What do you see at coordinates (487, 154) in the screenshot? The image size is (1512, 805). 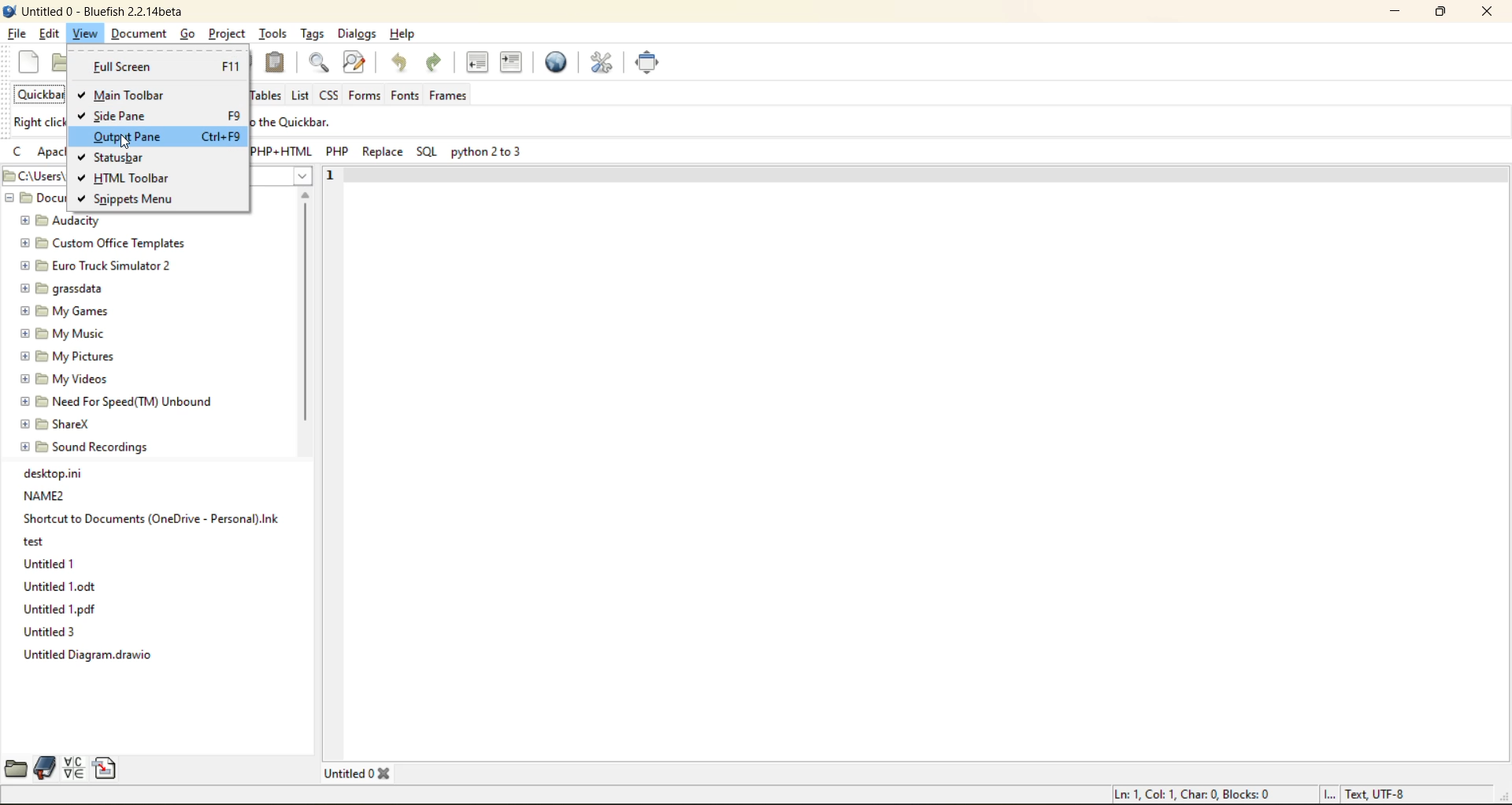 I see `python 2 to 3` at bounding box center [487, 154].